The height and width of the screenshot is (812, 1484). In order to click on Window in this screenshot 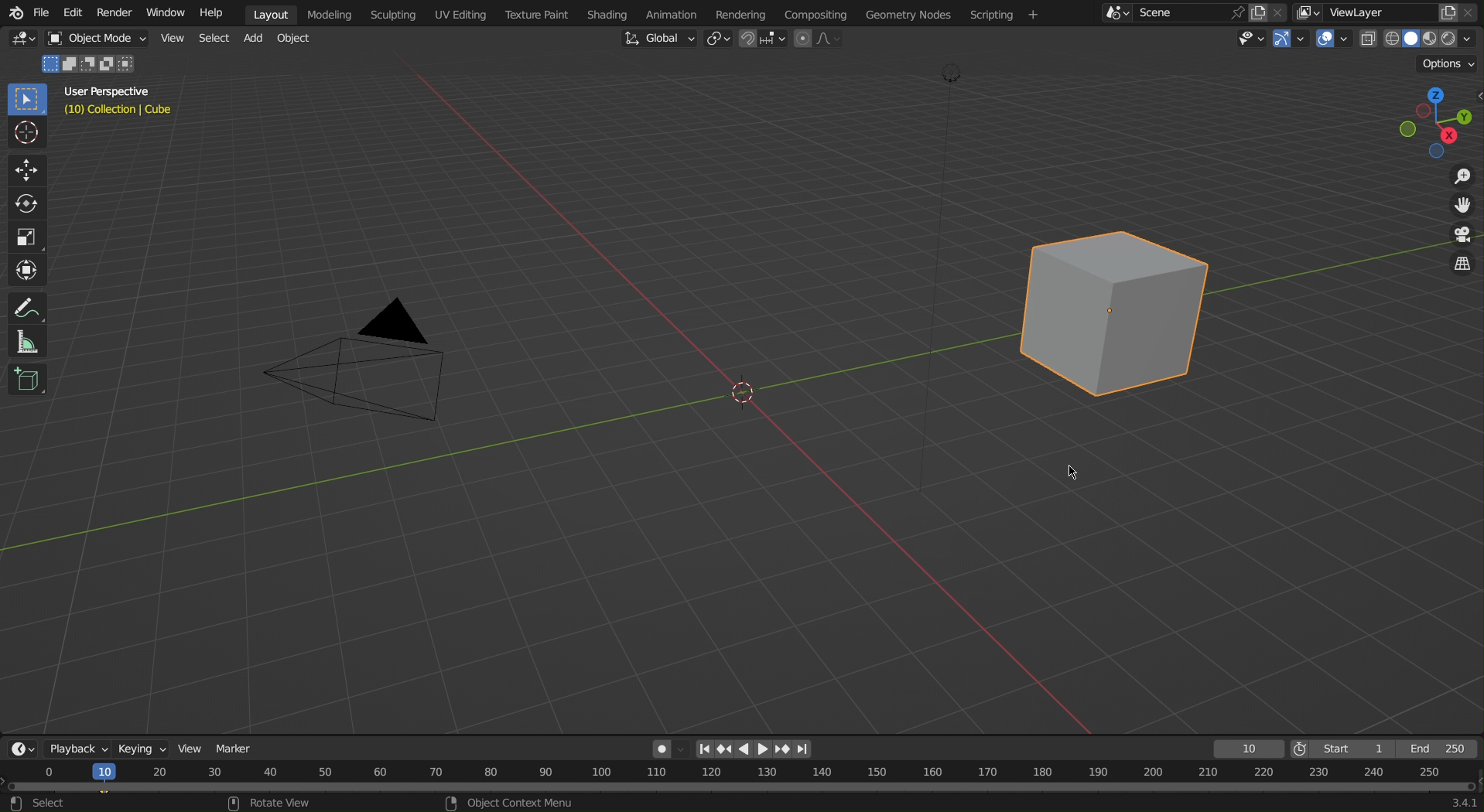, I will do `click(169, 12)`.